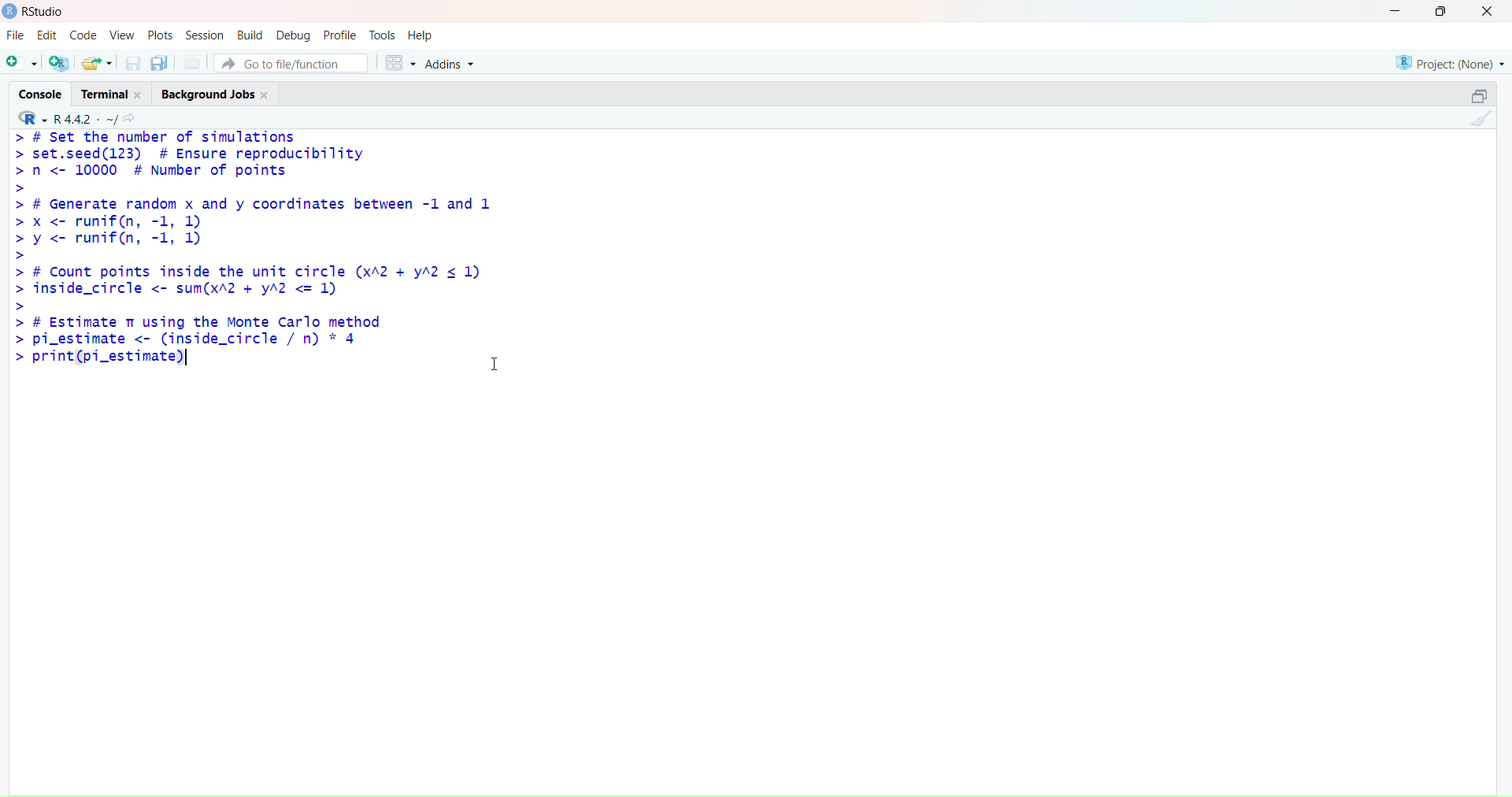 Image resolution: width=1512 pixels, height=797 pixels. Describe the element at coordinates (343, 33) in the screenshot. I see `Profile` at that location.